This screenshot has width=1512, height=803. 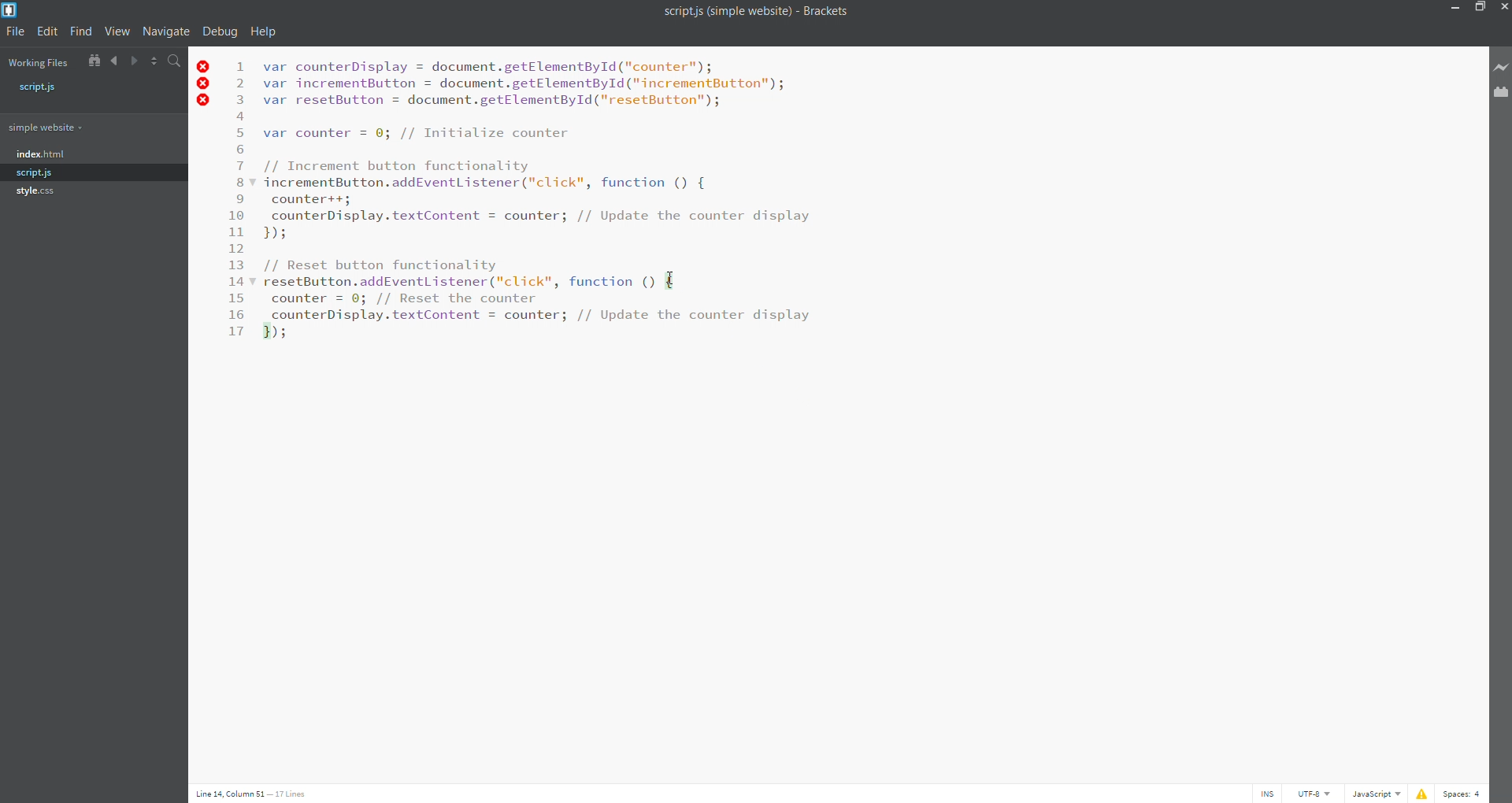 What do you see at coordinates (14, 32) in the screenshot?
I see `file` at bounding box center [14, 32].